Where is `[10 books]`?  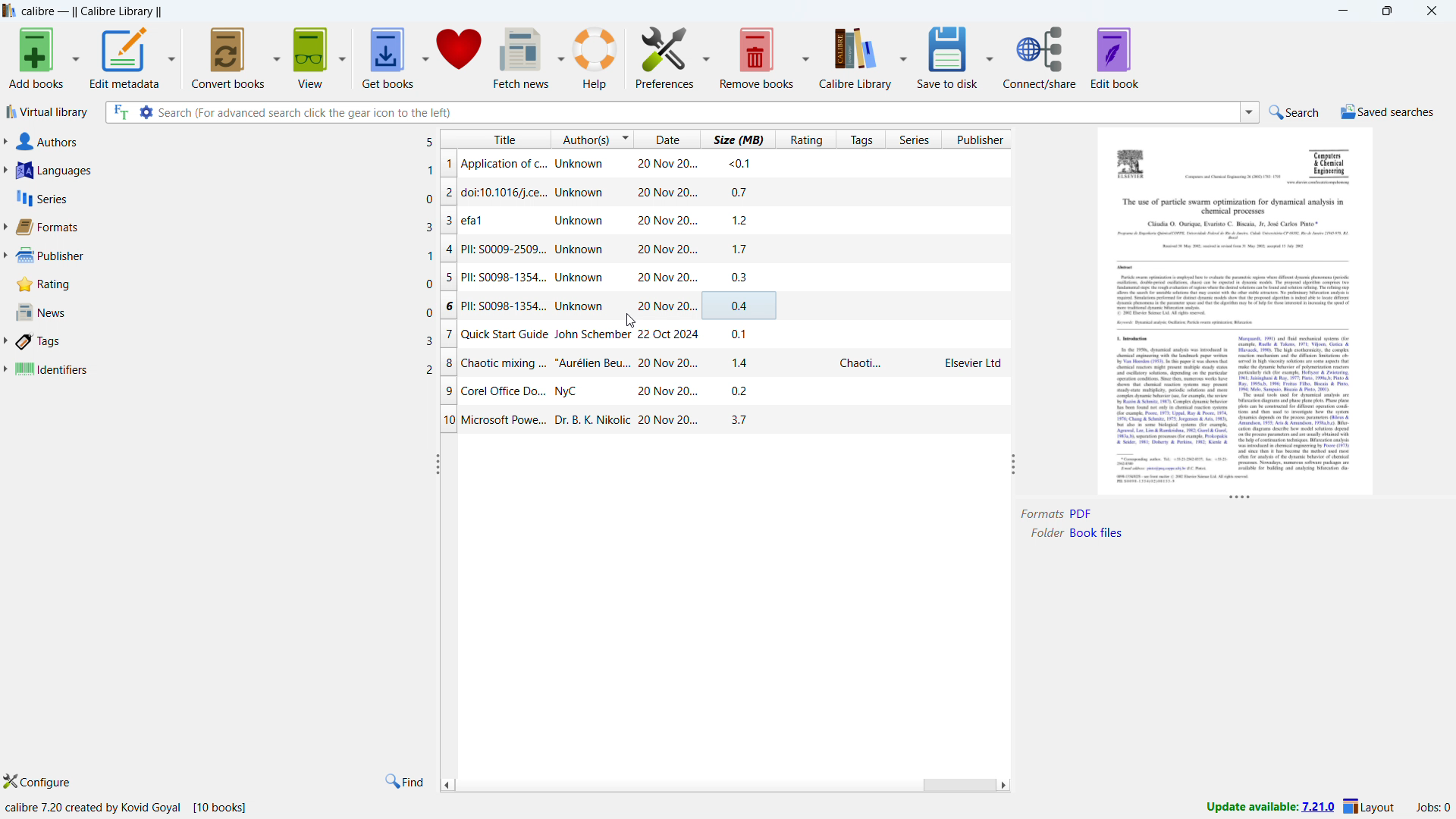
[10 books] is located at coordinates (221, 808).